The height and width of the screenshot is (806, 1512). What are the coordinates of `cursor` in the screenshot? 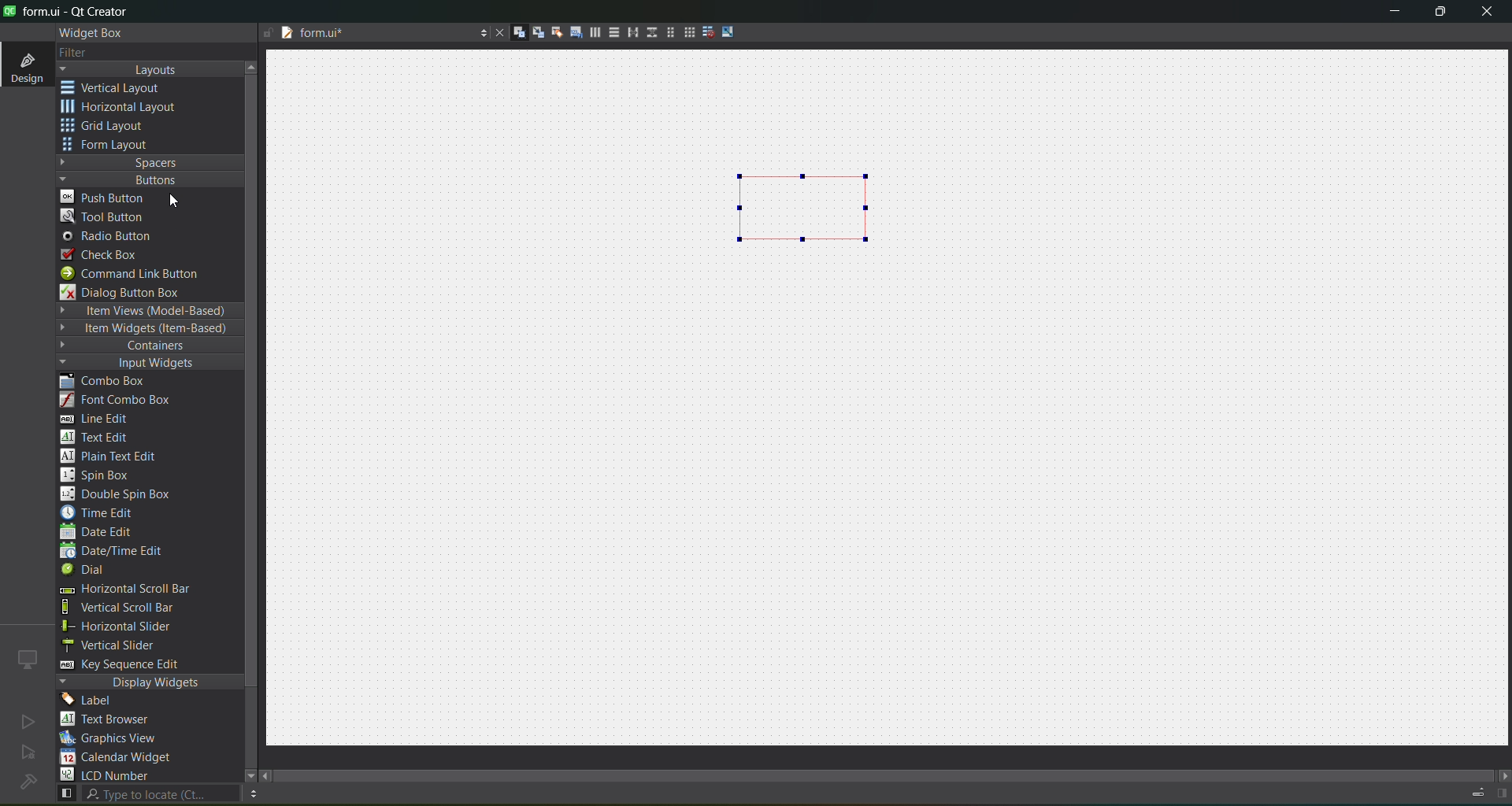 It's located at (181, 201).